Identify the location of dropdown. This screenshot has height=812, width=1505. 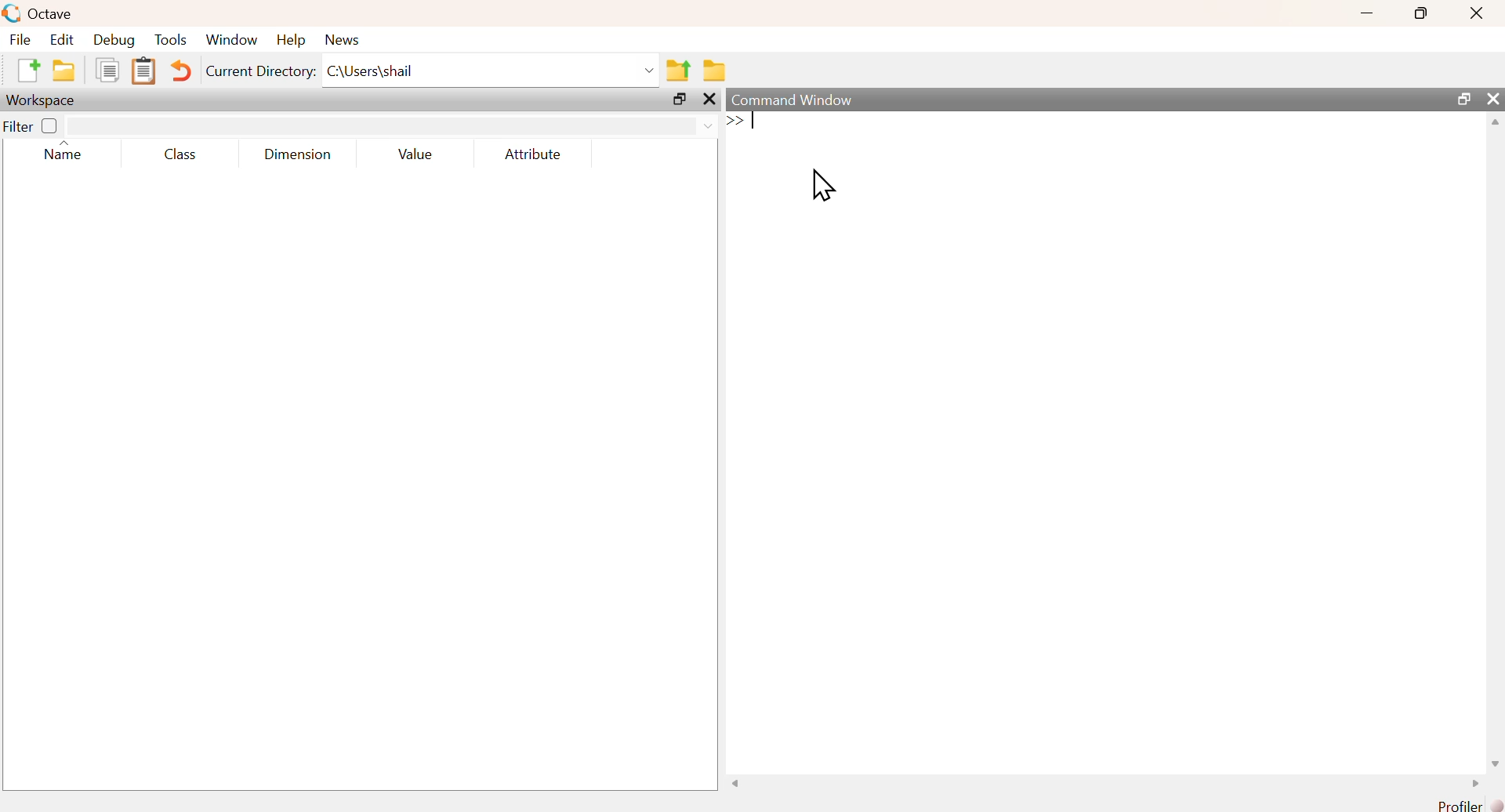
(648, 71).